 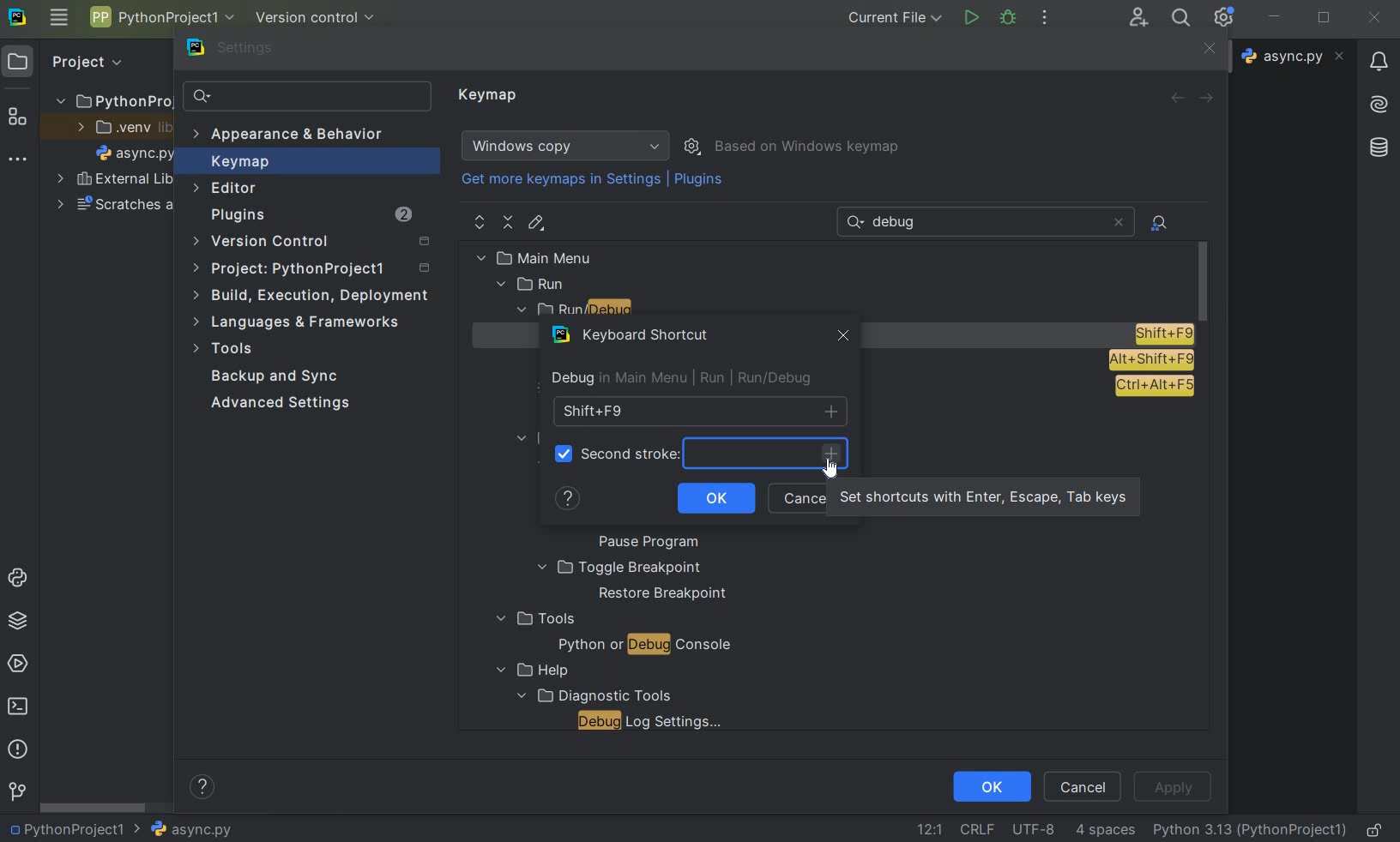 What do you see at coordinates (976, 830) in the screenshot?
I see `line separator` at bounding box center [976, 830].